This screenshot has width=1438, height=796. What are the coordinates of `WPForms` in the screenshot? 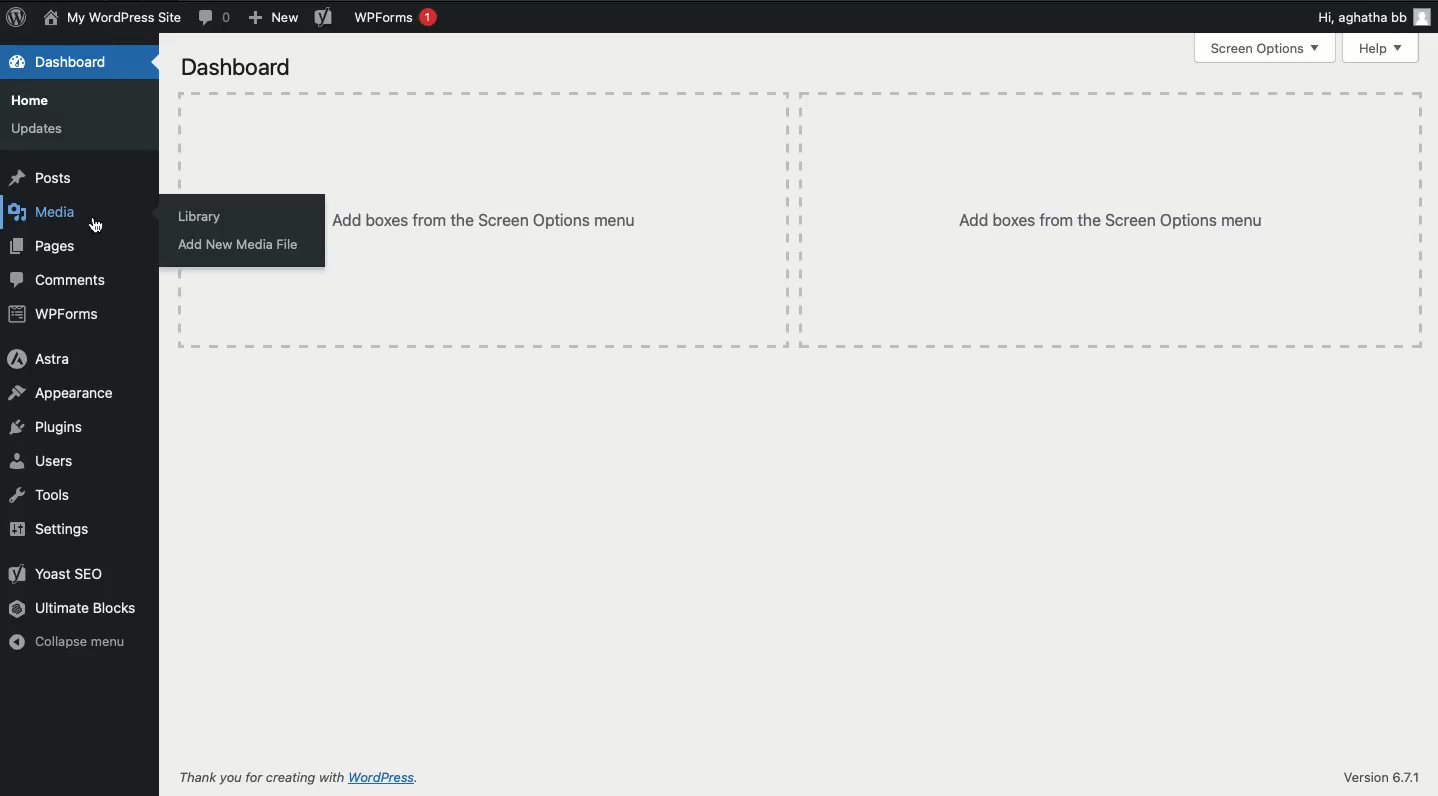 It's located at (55, 315).